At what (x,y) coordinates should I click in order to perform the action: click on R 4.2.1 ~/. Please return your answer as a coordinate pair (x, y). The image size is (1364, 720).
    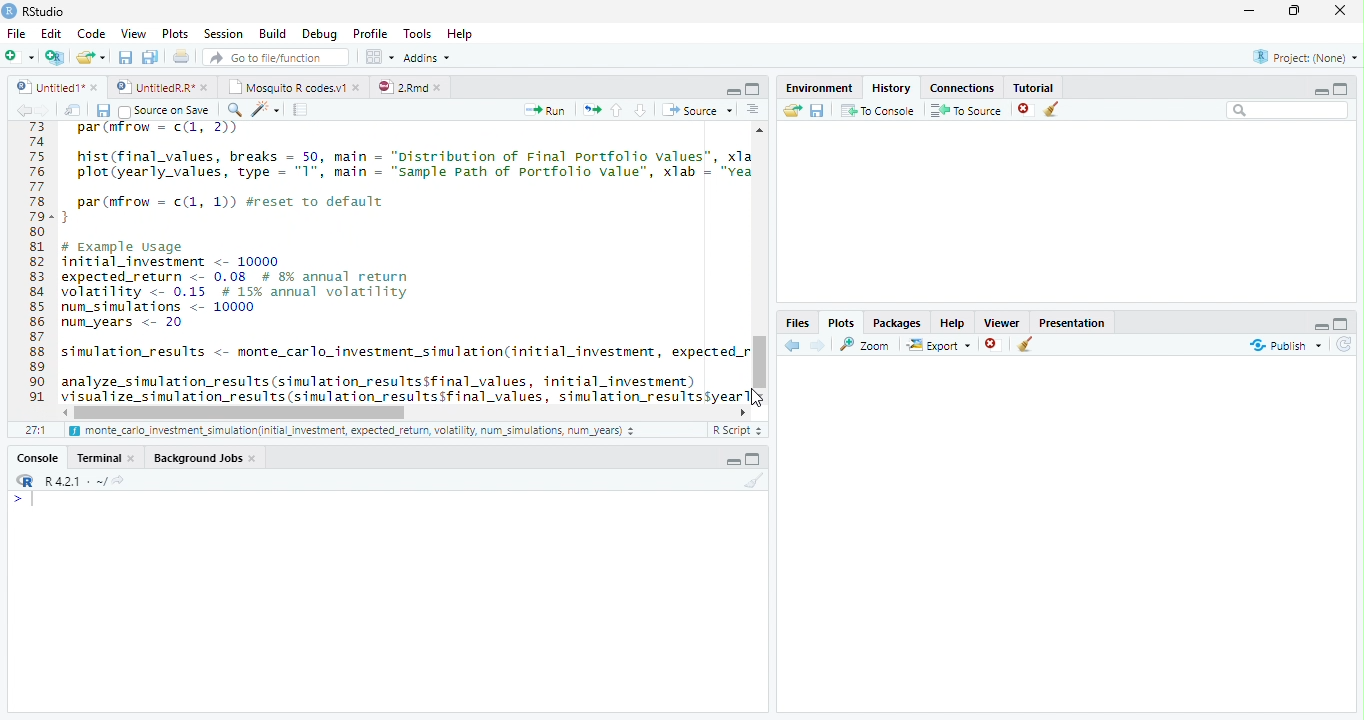
    Looking at the image, I should click on (67, 479).